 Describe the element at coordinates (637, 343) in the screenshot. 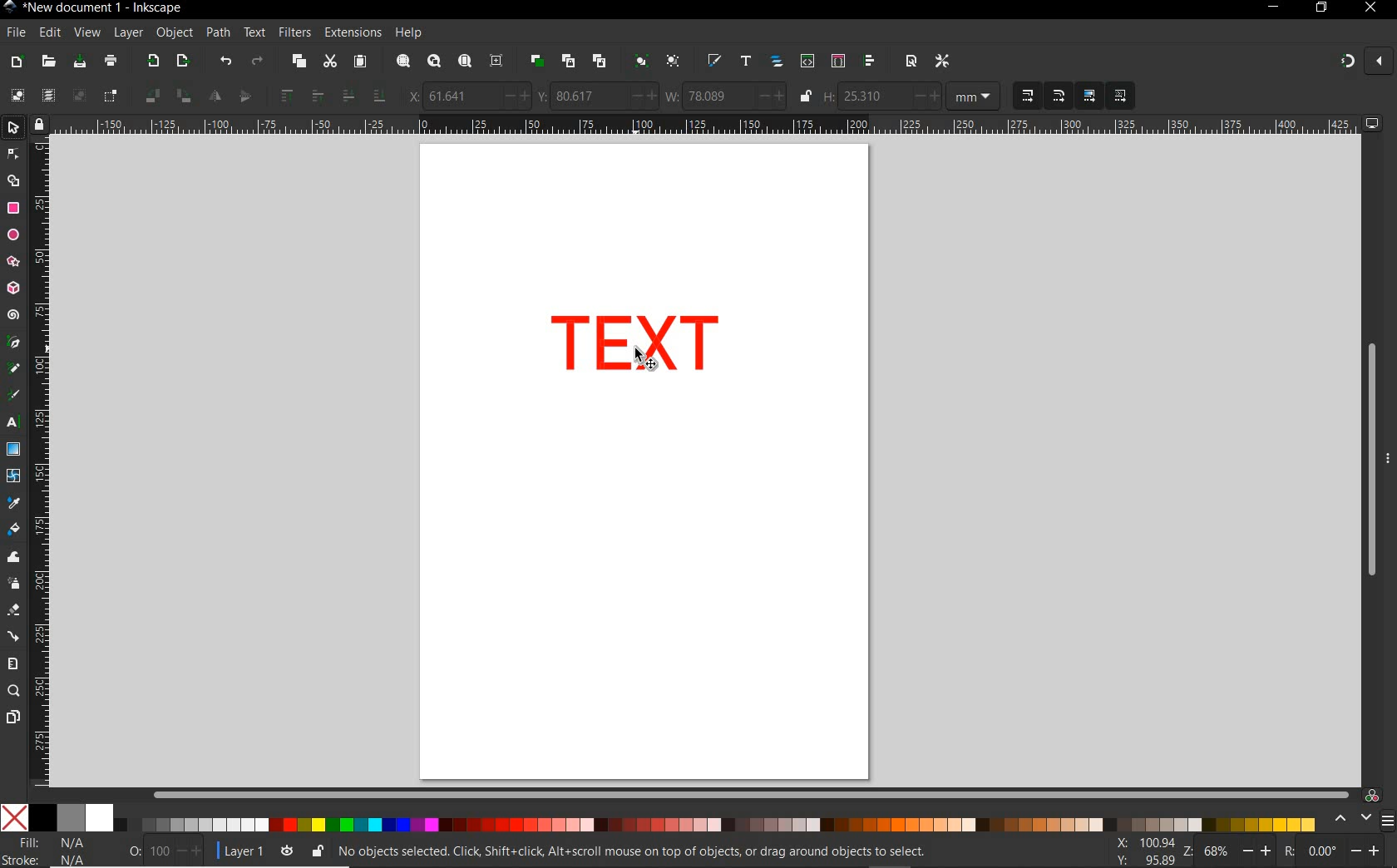

I see `text` at that location.